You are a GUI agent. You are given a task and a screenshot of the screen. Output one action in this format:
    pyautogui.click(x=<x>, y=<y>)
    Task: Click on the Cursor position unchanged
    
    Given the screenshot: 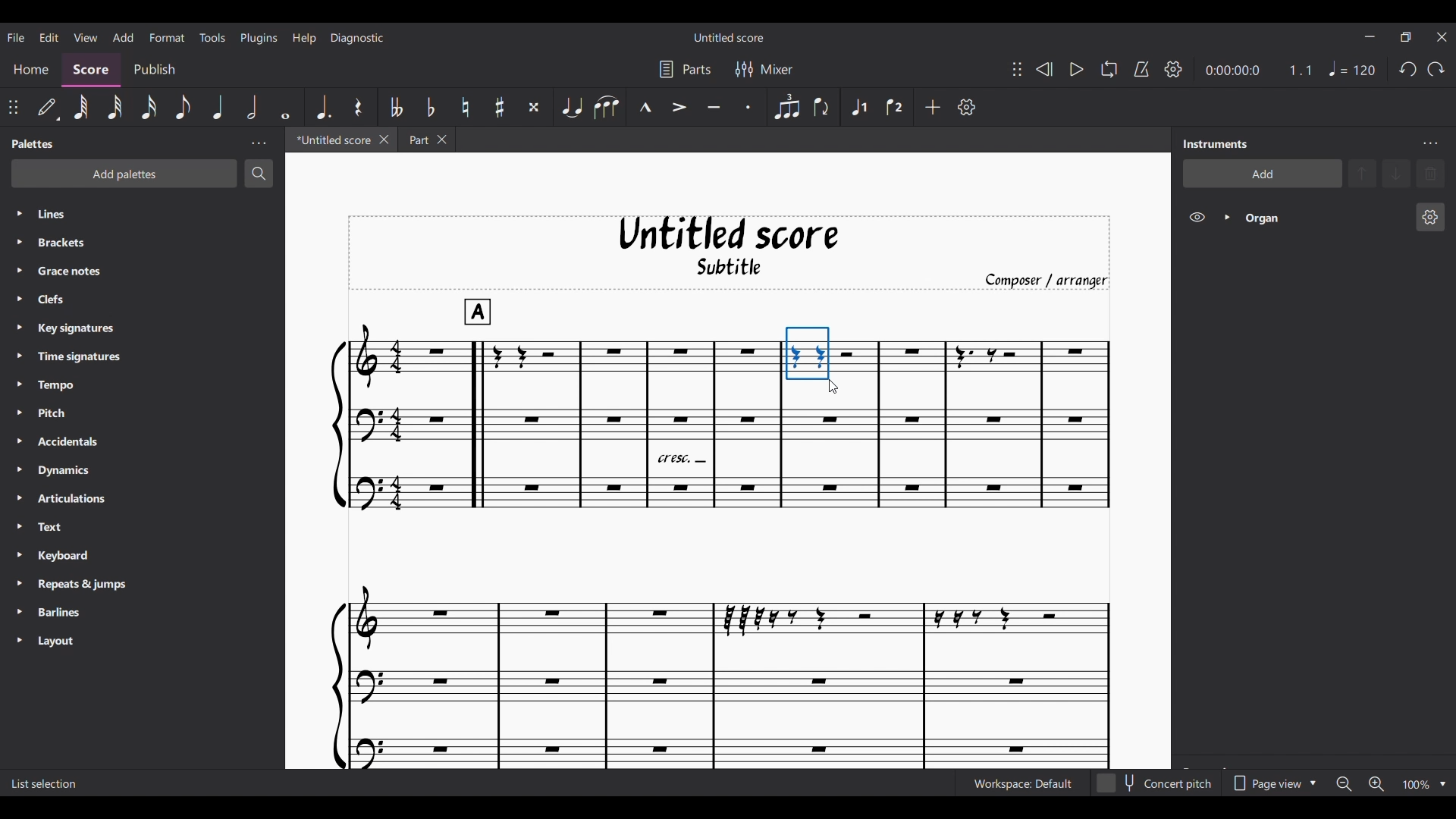 What is the action you would take?
    pyautogui.click(x=833, y=386)
    